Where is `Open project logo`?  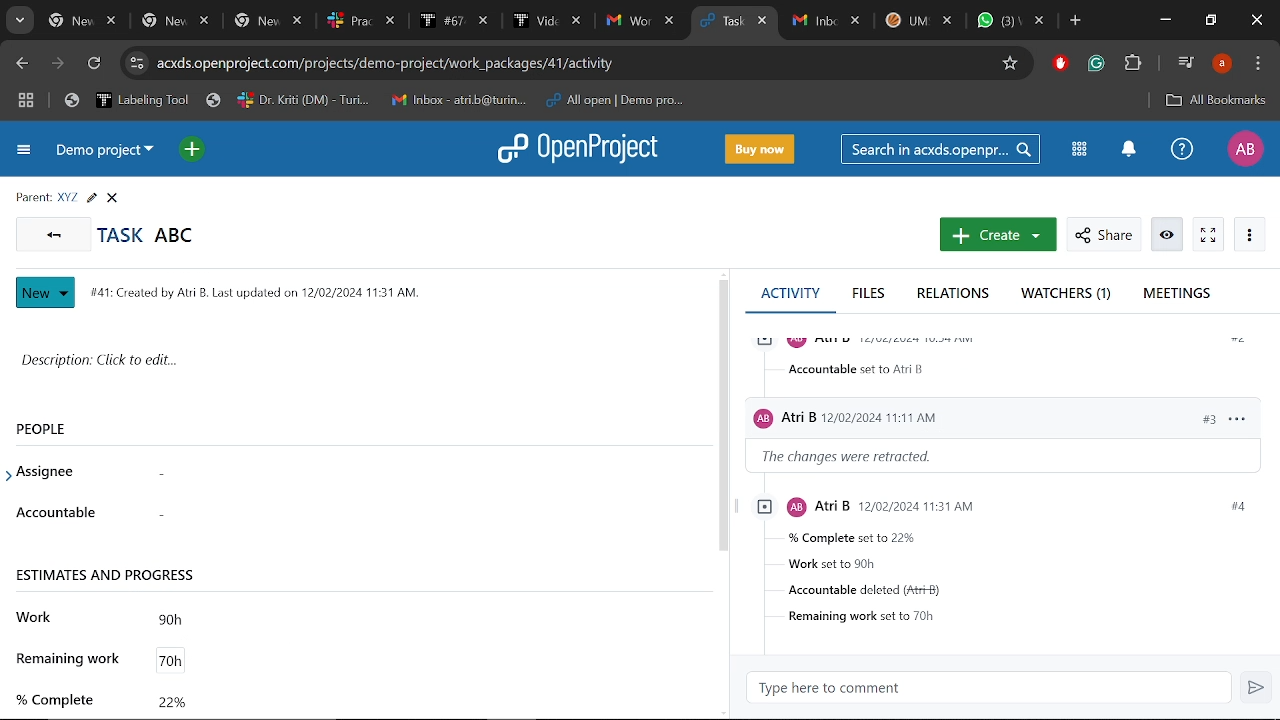
Open project logo is located at coordinates (584, 150).